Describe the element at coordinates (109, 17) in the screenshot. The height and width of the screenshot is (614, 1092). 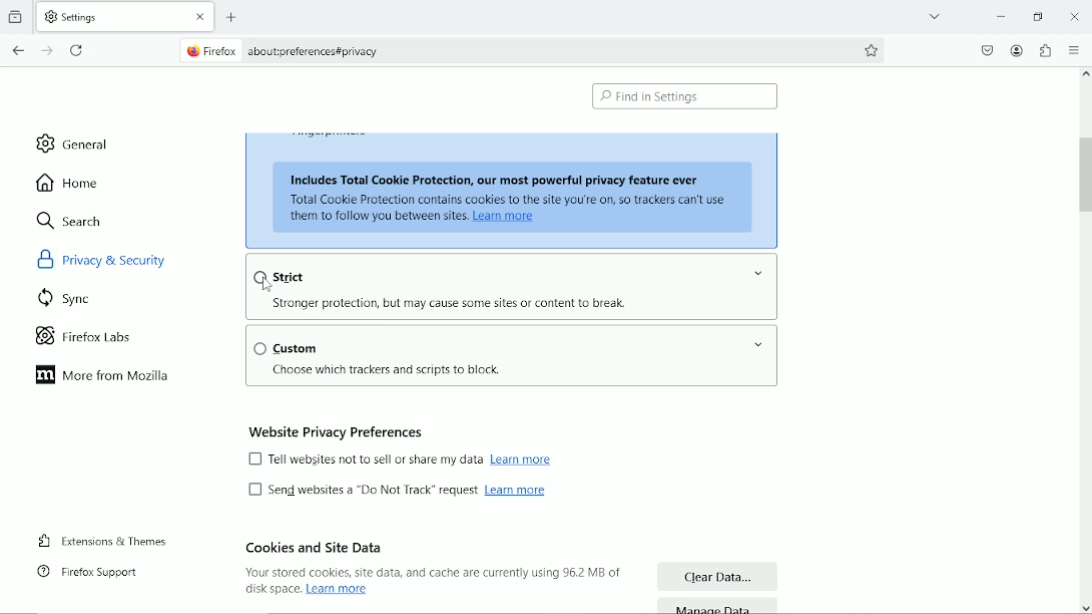
I see `current tab` at that location.